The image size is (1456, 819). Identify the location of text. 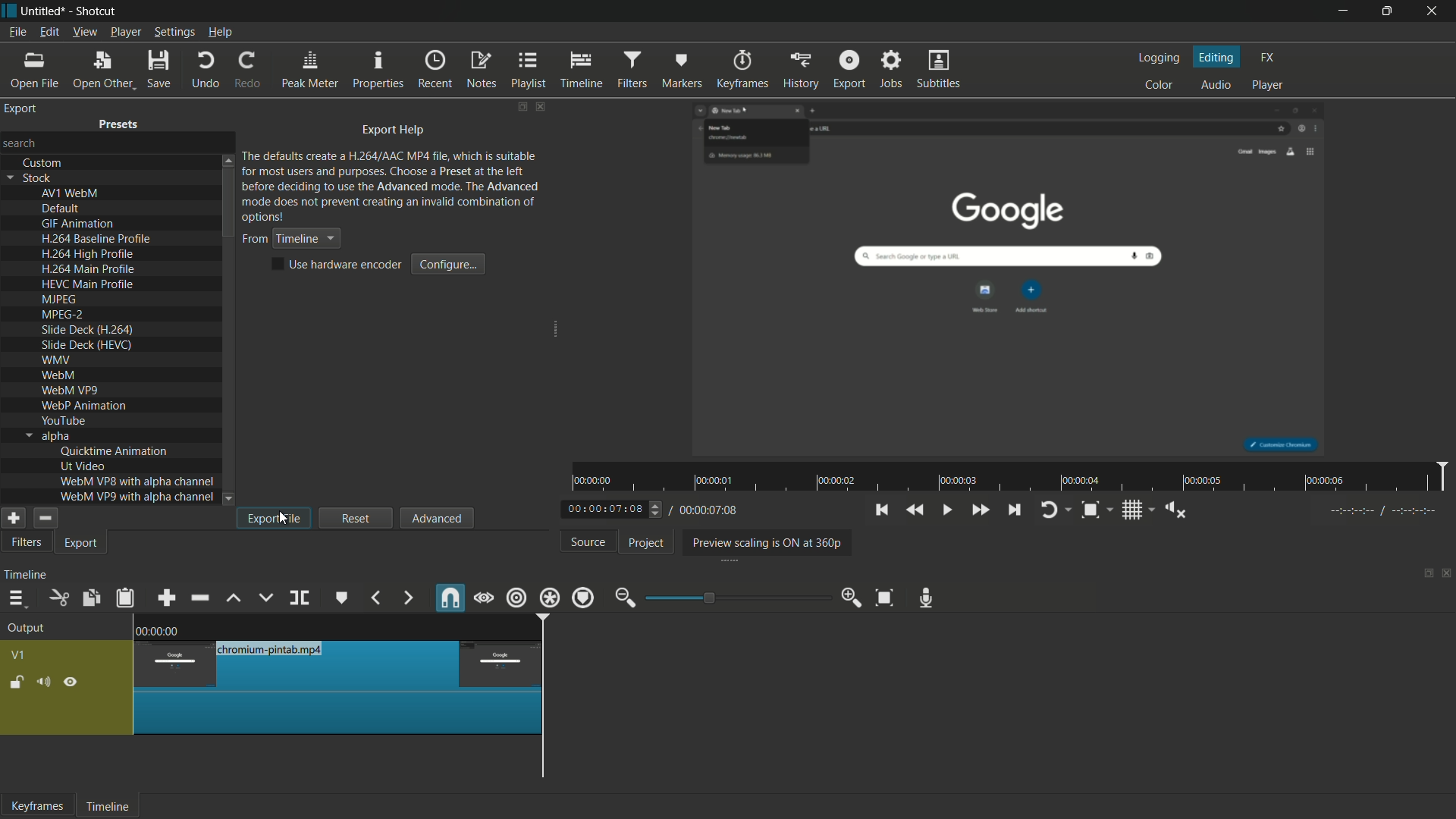
(391, 186).